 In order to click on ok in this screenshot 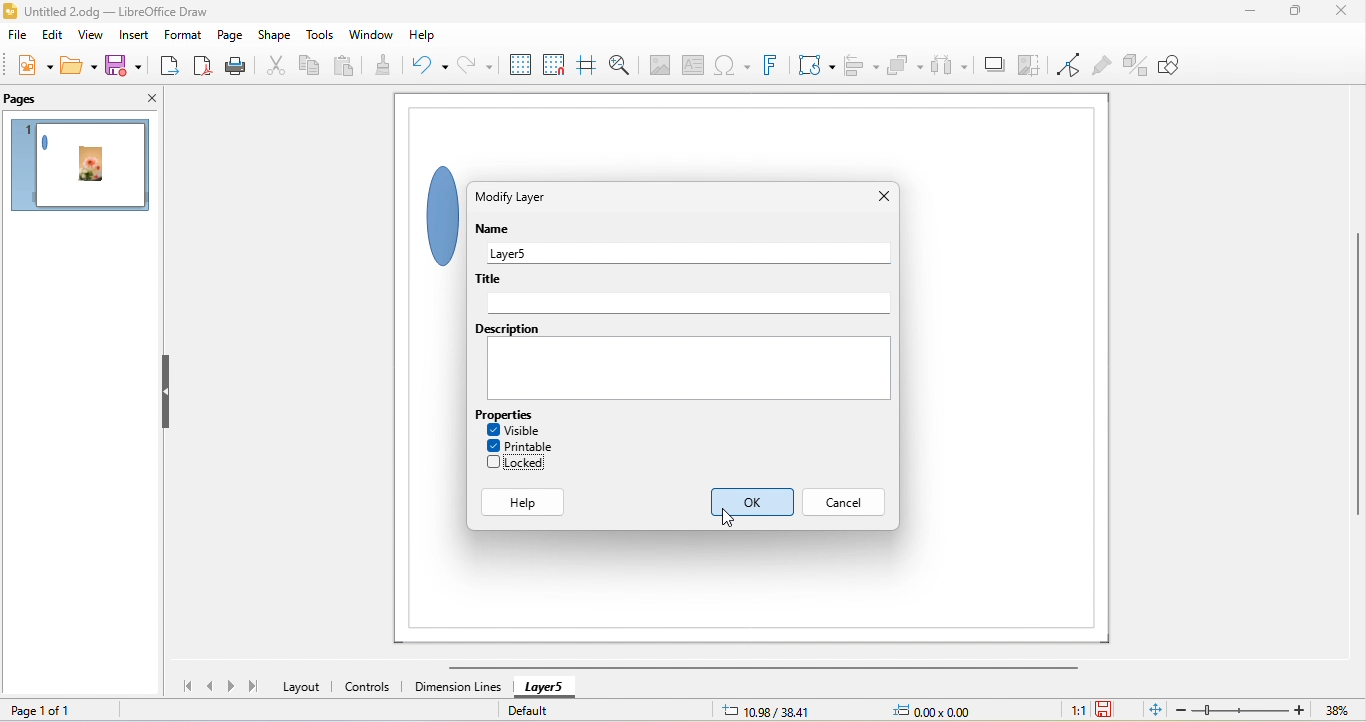, I will do `click(753, 502)`.